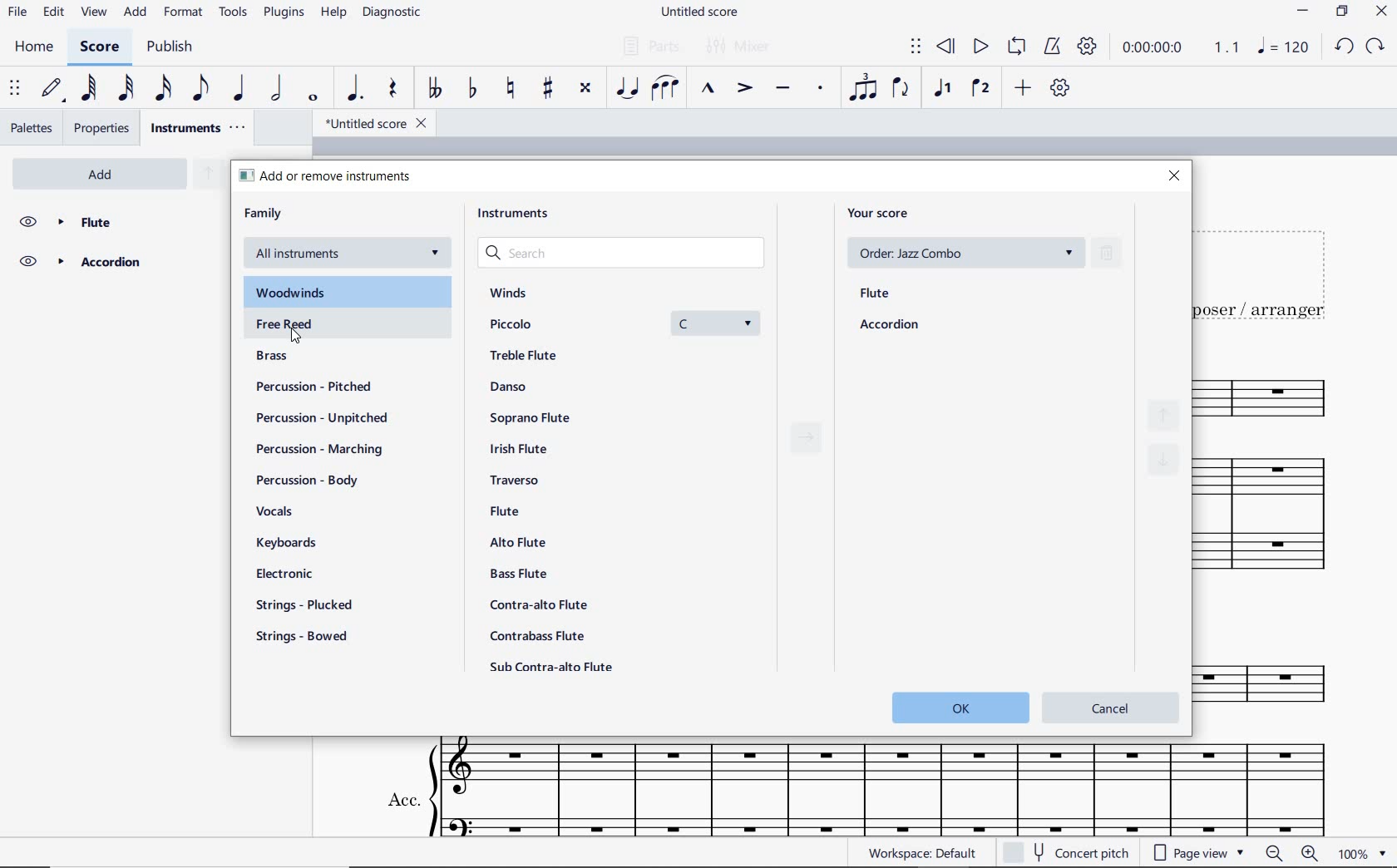 The width and height of the screenshot is (1397, 868). Describe the element at coordinates (328, 176) in the screenshot. I see `add or remove instruments` at that location.